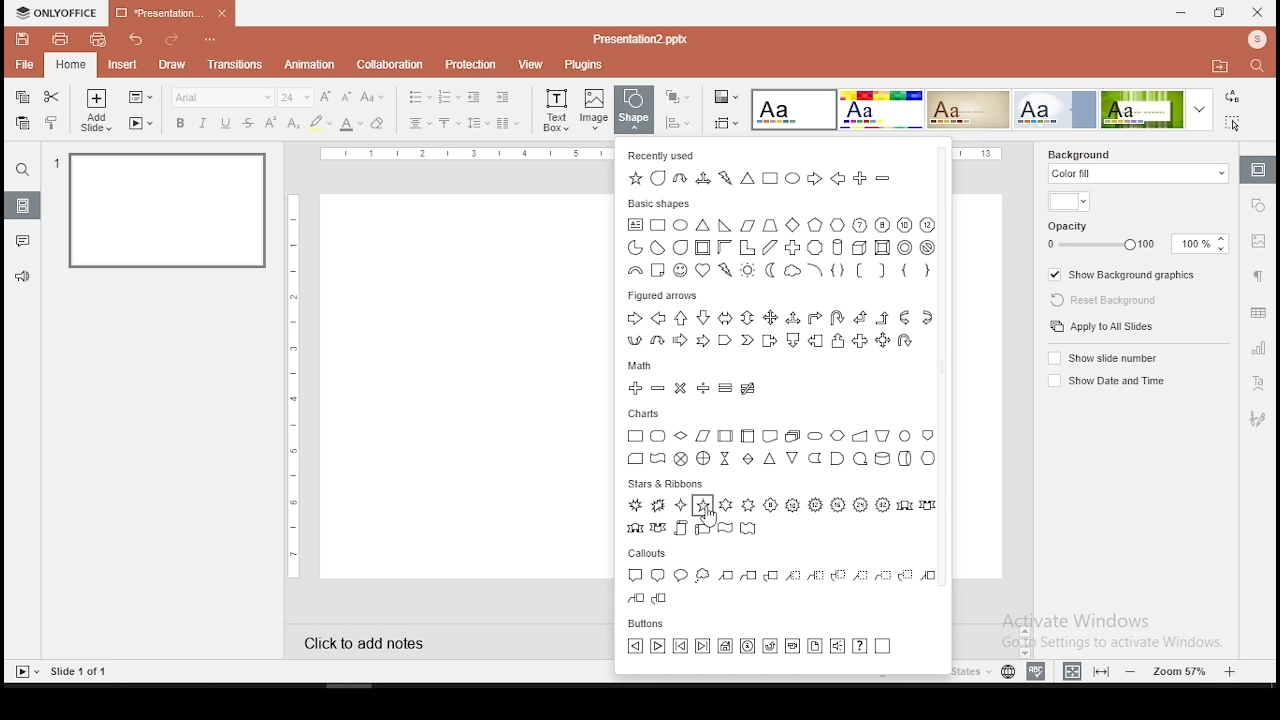 This screenshot has height=720, width=1280. I want to click on Cutouts, so click(652, 552).